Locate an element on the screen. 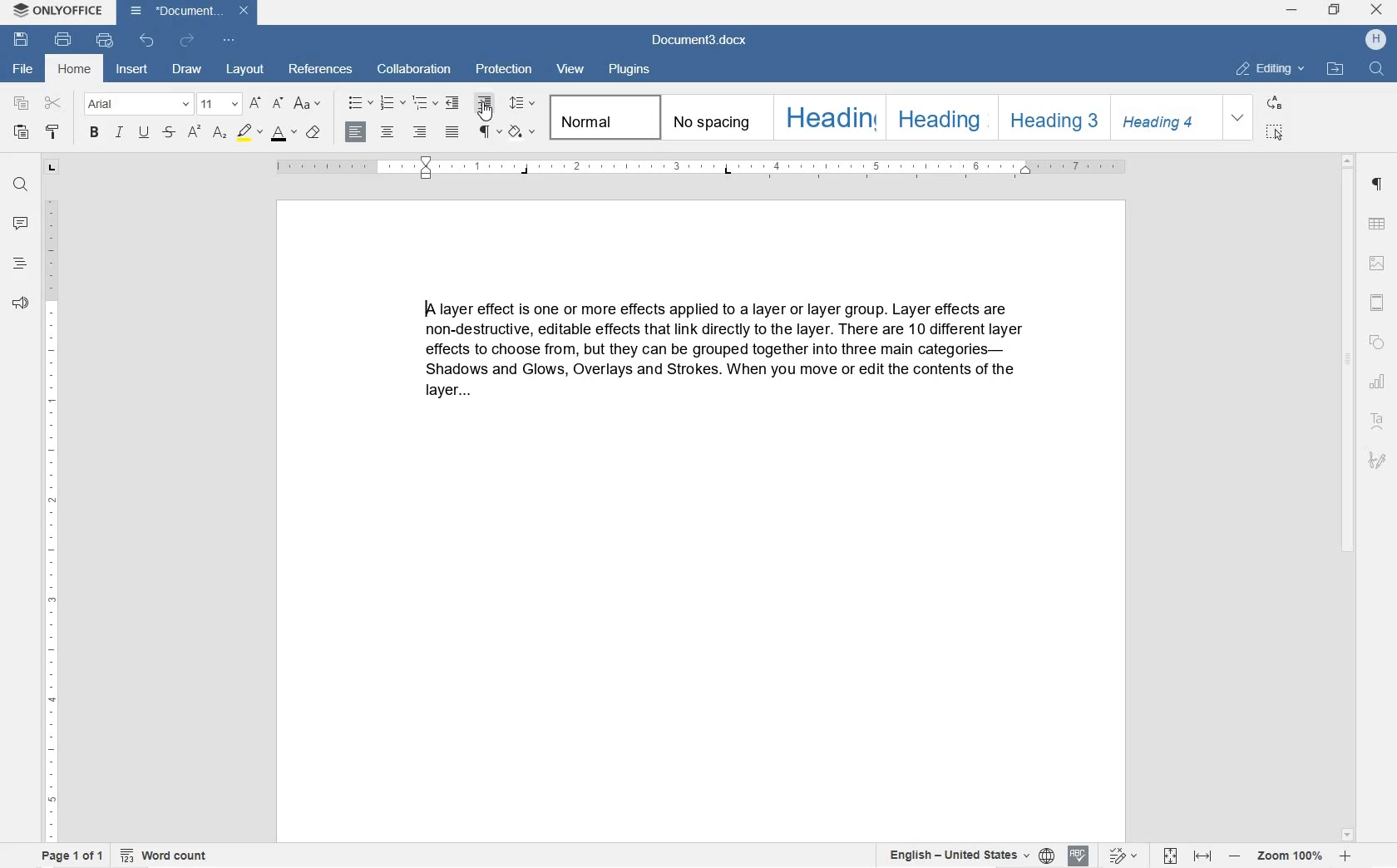 The height and width of the screenshot is (868, 1397). DECREMENT FONT SIZE is located at coordinates (278, 102).